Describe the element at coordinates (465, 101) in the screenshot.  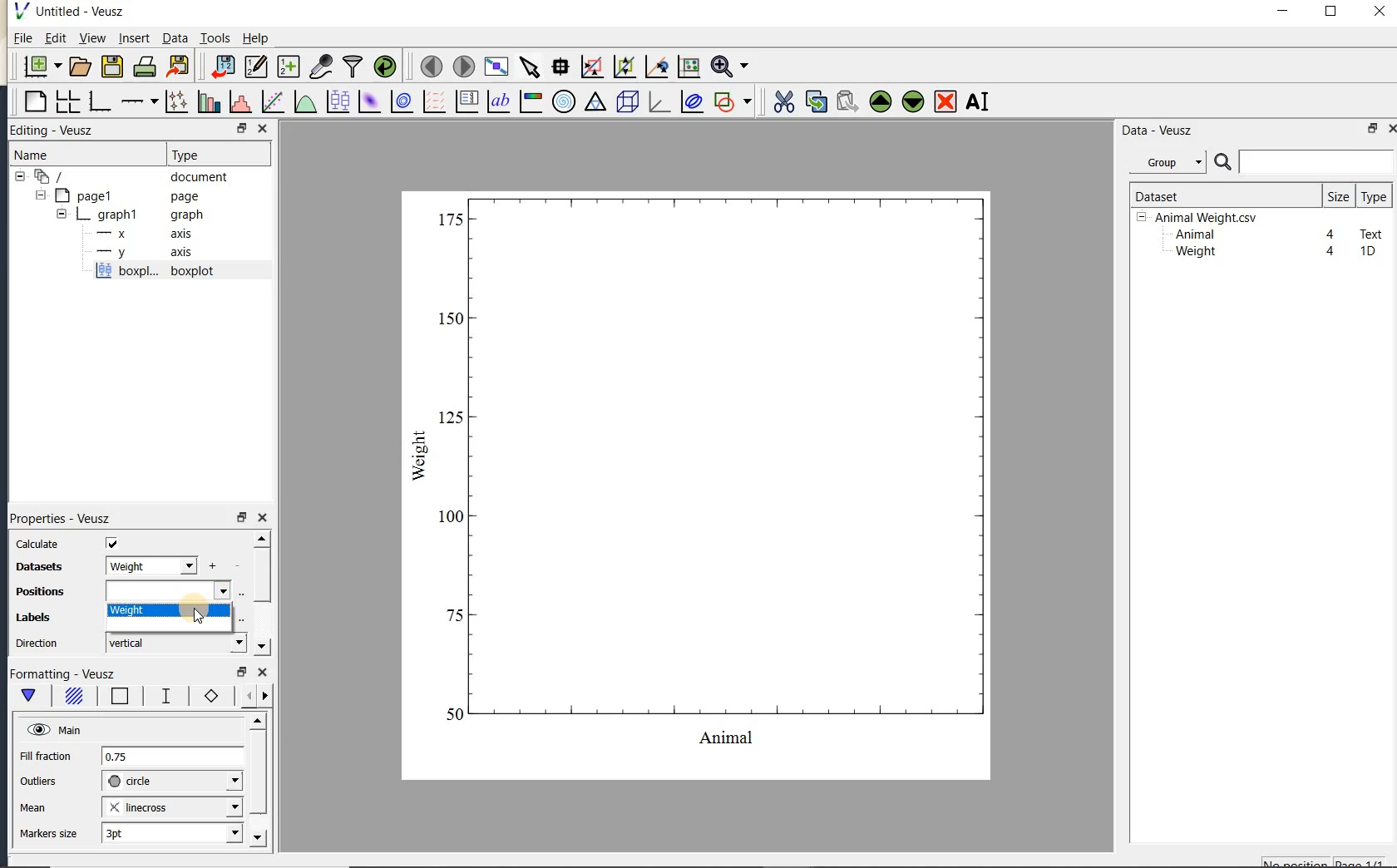
I see `plot key` at that location.